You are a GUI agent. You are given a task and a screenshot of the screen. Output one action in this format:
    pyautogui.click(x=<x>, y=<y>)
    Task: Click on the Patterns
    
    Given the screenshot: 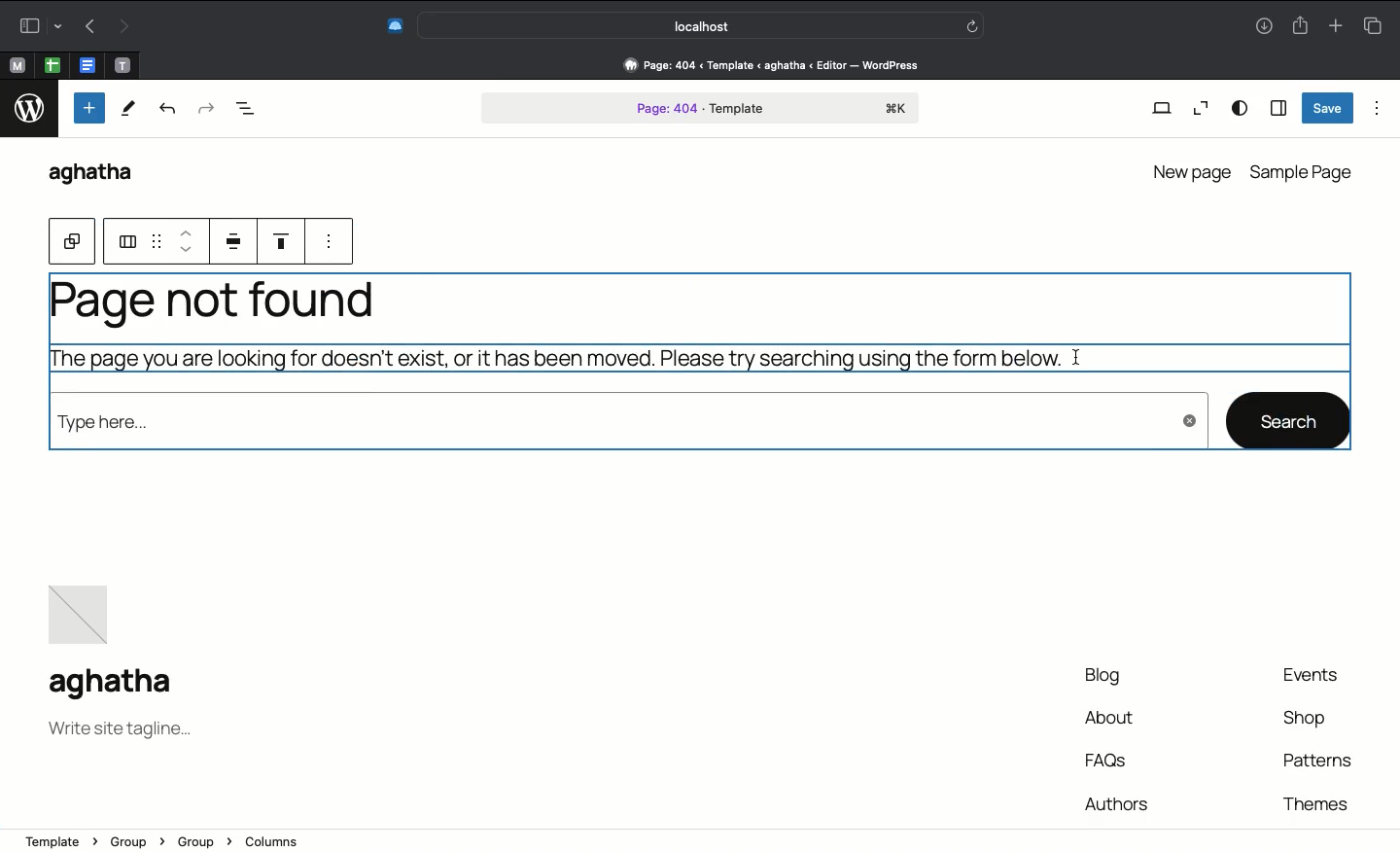 What is the action you would take?
    pyautogui.click(x=1315, y=761)
    